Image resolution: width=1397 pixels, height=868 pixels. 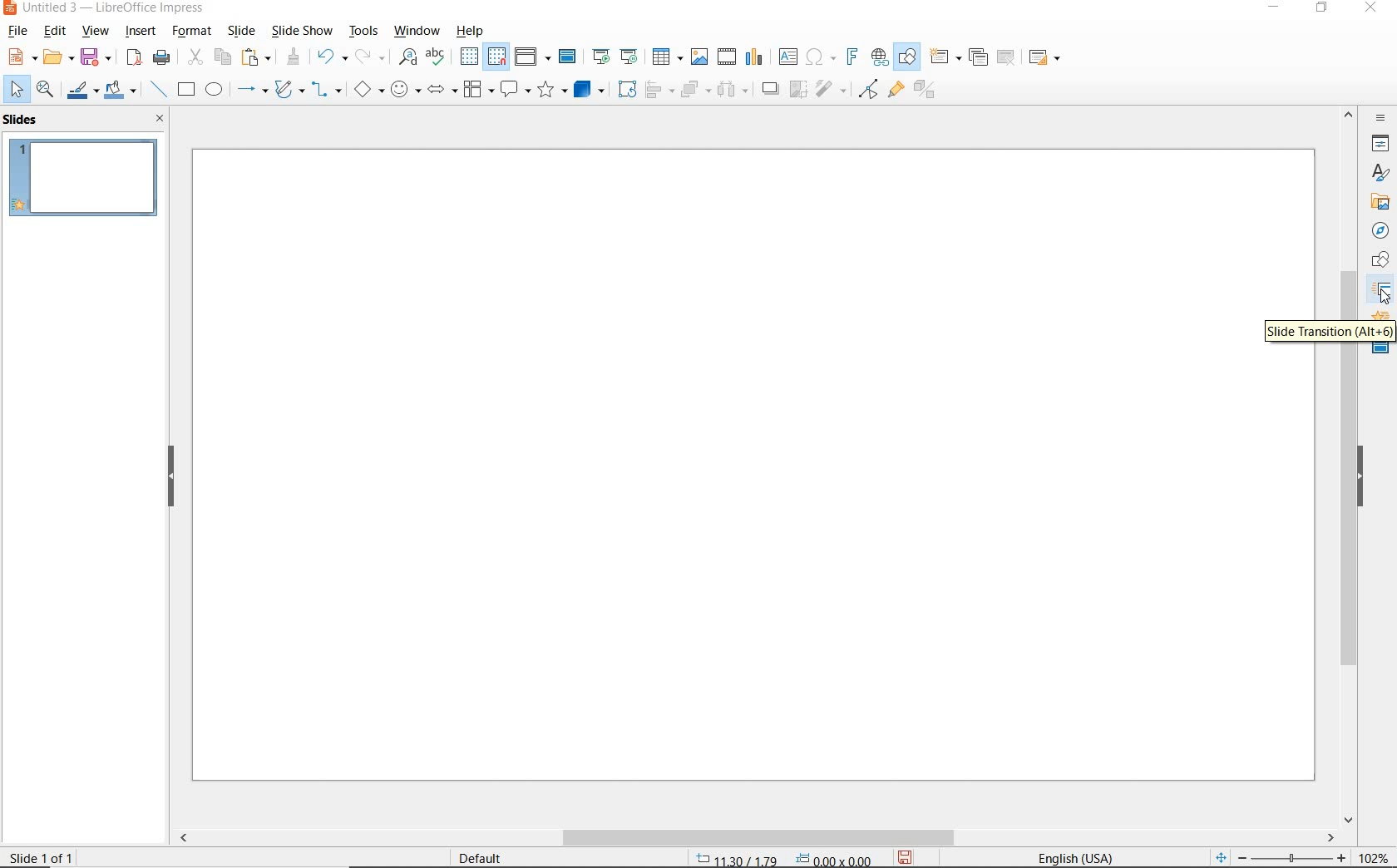 What do you see at coordinates (186, 89) in the screenshot?
I see `RECTANGLE` at bounding box center [186, 89].